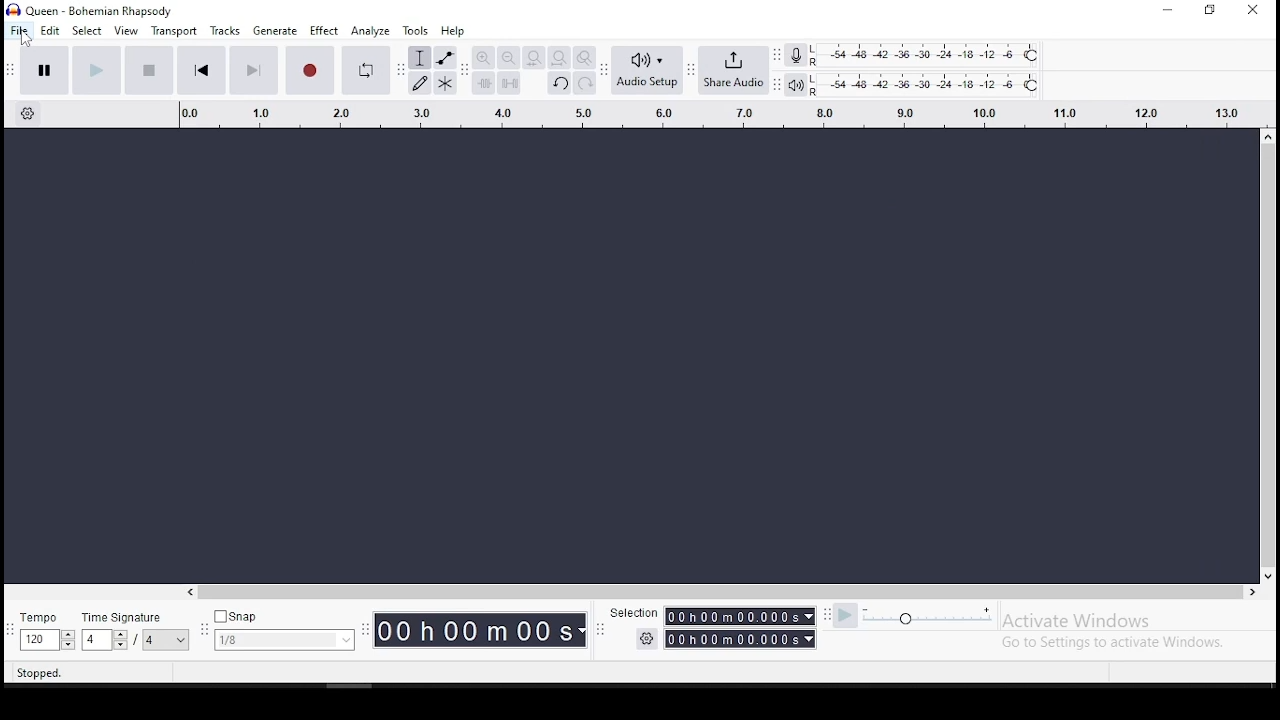 The image size is (1280, 720). Describe the element at coordinates (87, 32) in the screenshot. I see `select` at that location.